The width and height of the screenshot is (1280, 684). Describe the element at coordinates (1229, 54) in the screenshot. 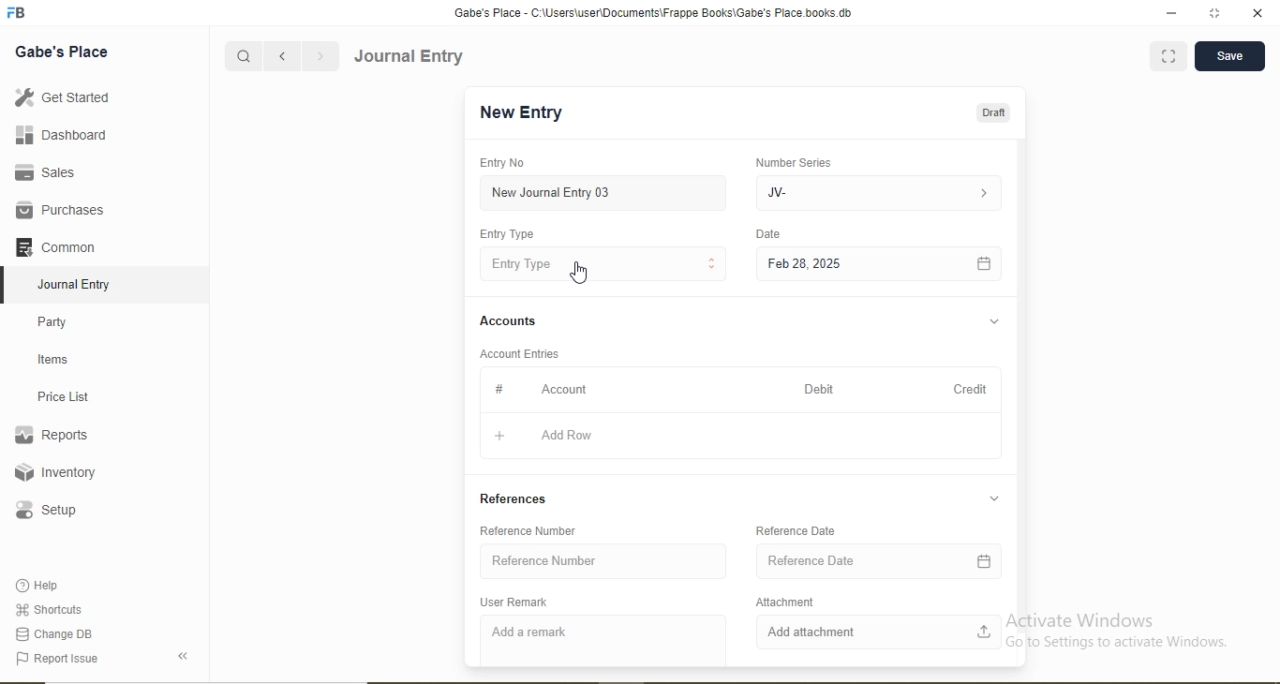

I see `Save` at that location.